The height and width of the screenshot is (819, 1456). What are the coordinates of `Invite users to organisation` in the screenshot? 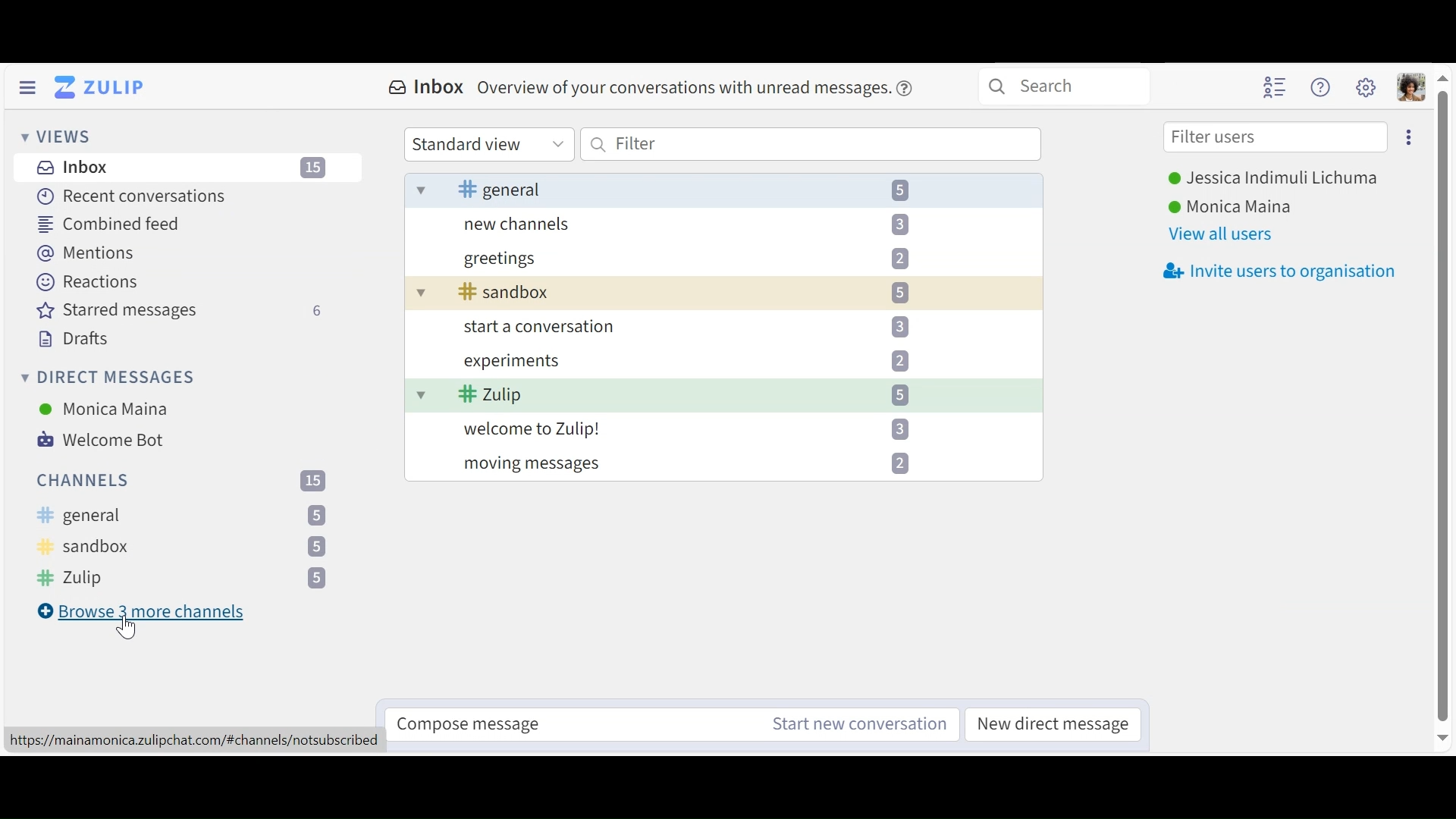 It's located at (1279, 271).